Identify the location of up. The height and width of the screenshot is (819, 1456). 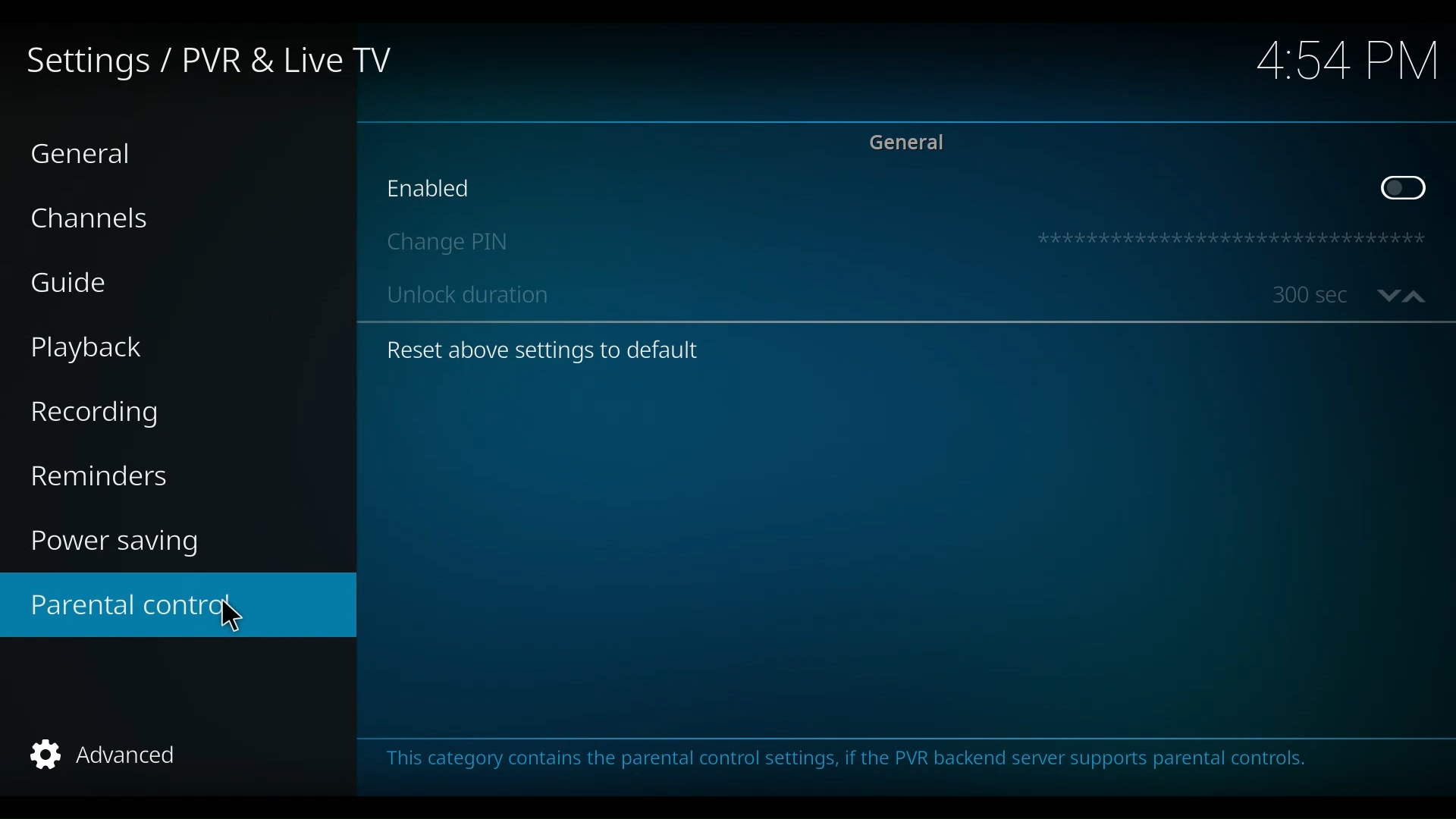
(1416, 297).